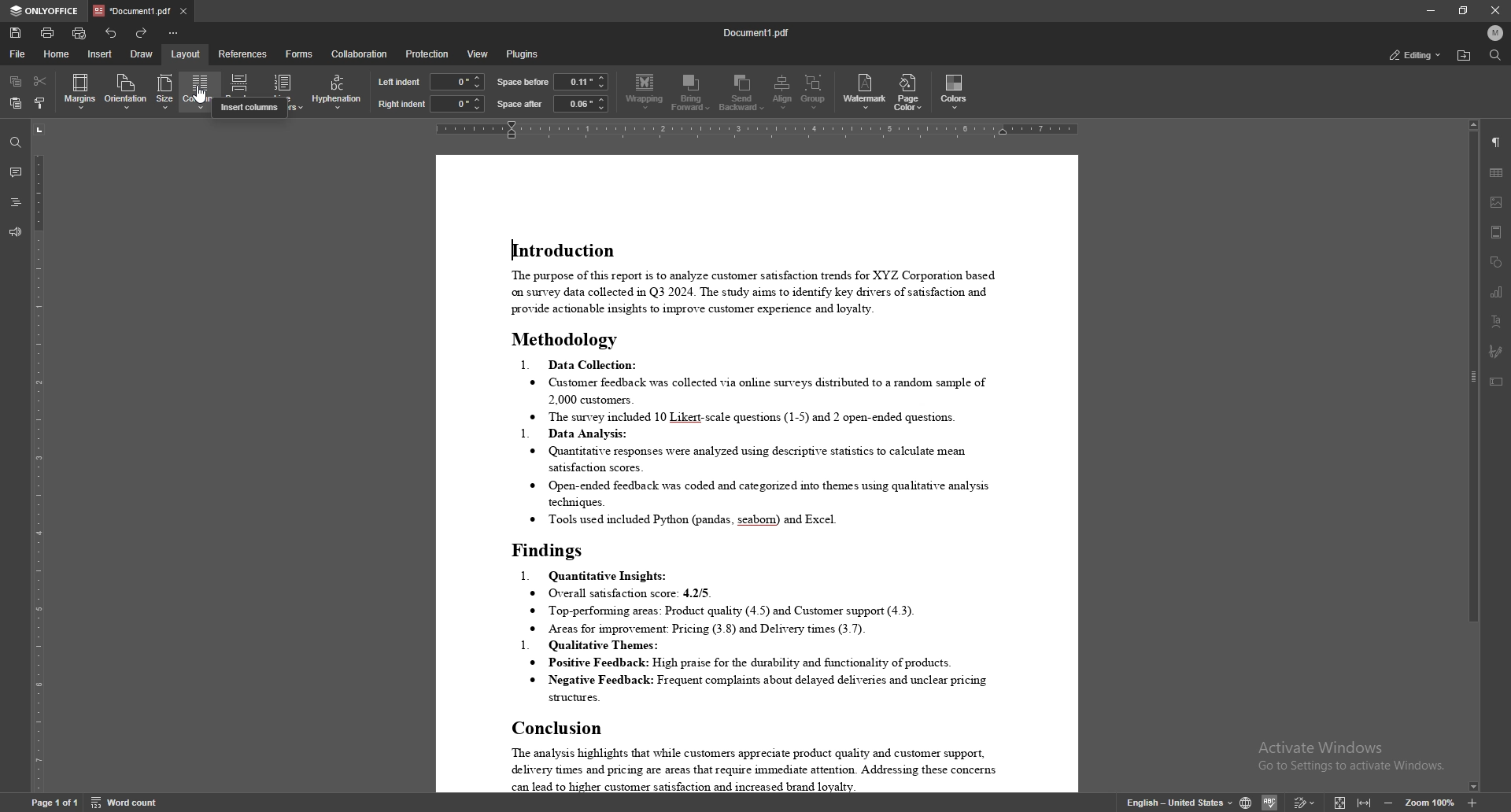 This screenshot has height=812, width=1511. Describe the element at coordinates (427, 53) in the screenshot. I see `protection` at that location.